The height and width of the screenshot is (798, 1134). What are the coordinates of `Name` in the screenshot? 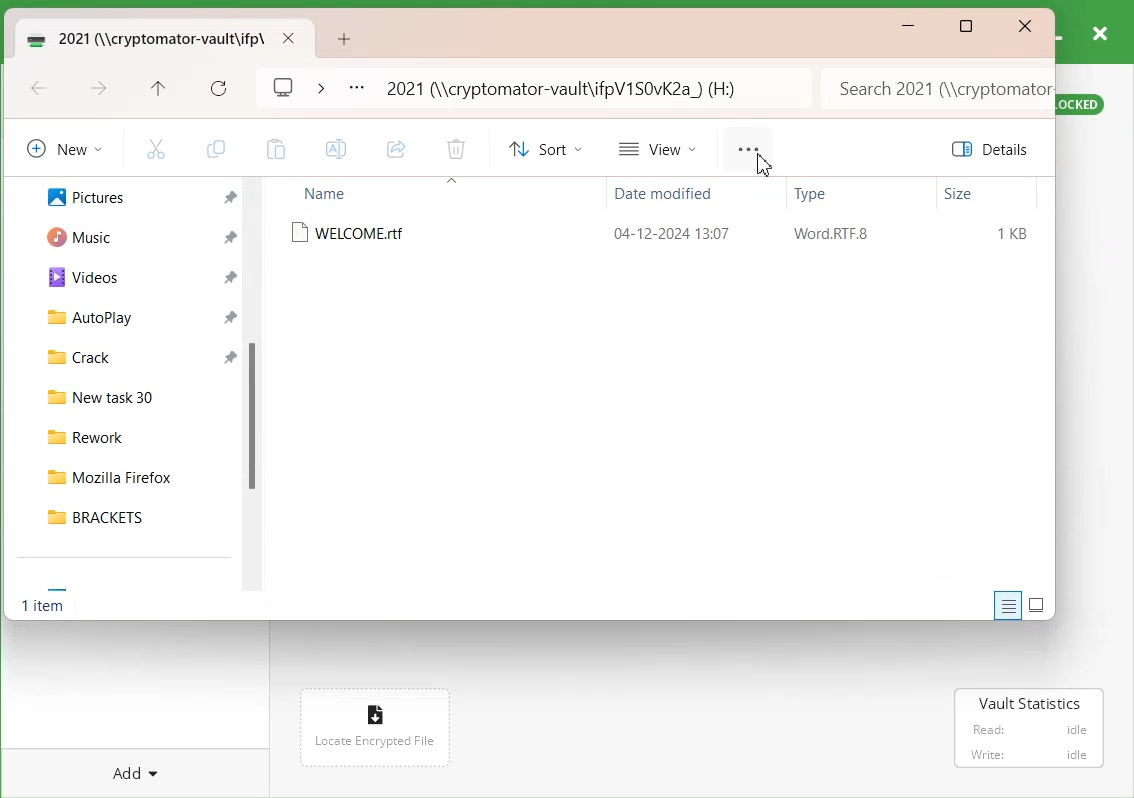 It's located at (337, 194).